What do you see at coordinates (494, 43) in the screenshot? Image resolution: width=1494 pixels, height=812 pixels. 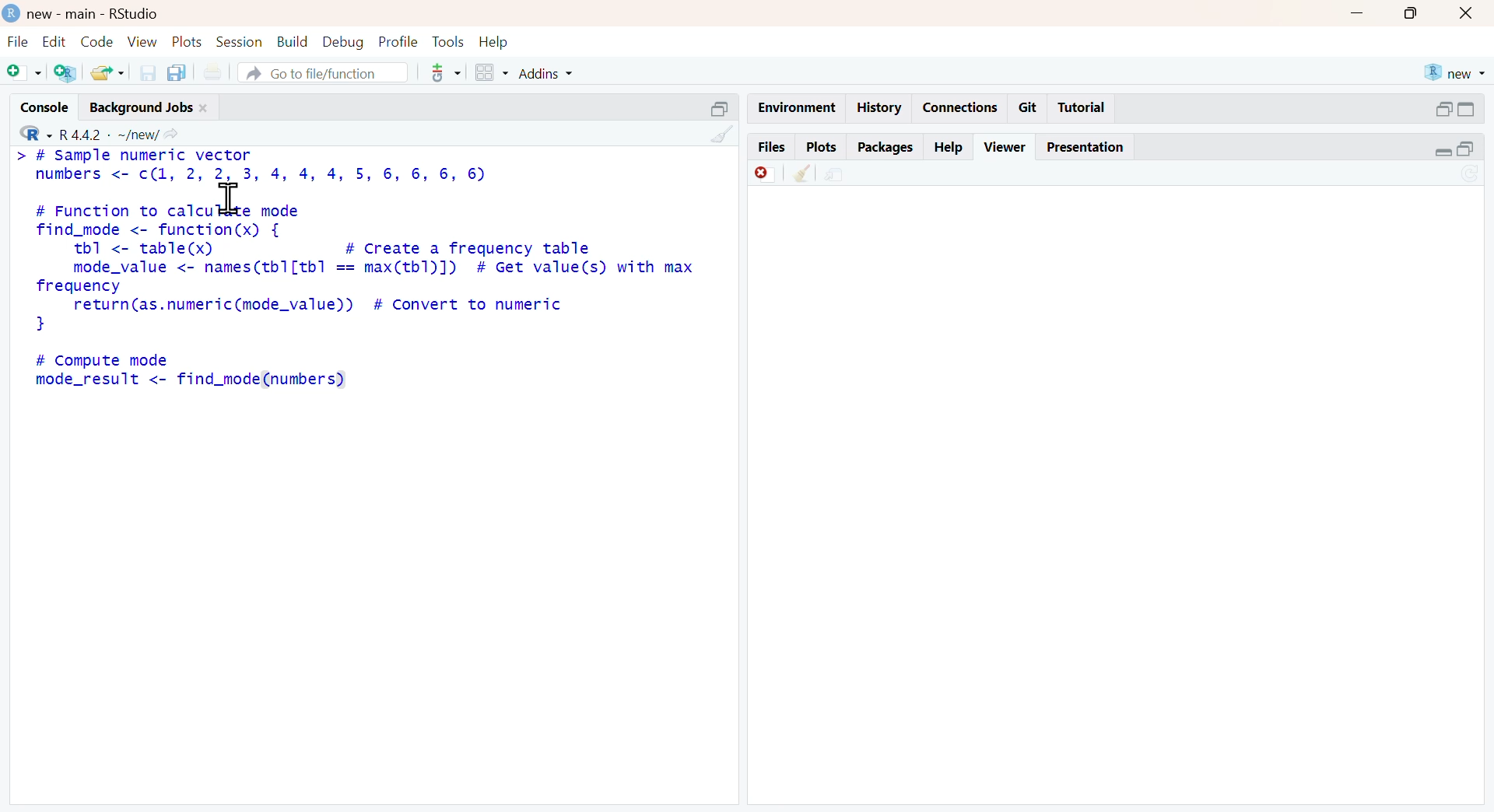 I see `help` at bounding box center [494, 43].